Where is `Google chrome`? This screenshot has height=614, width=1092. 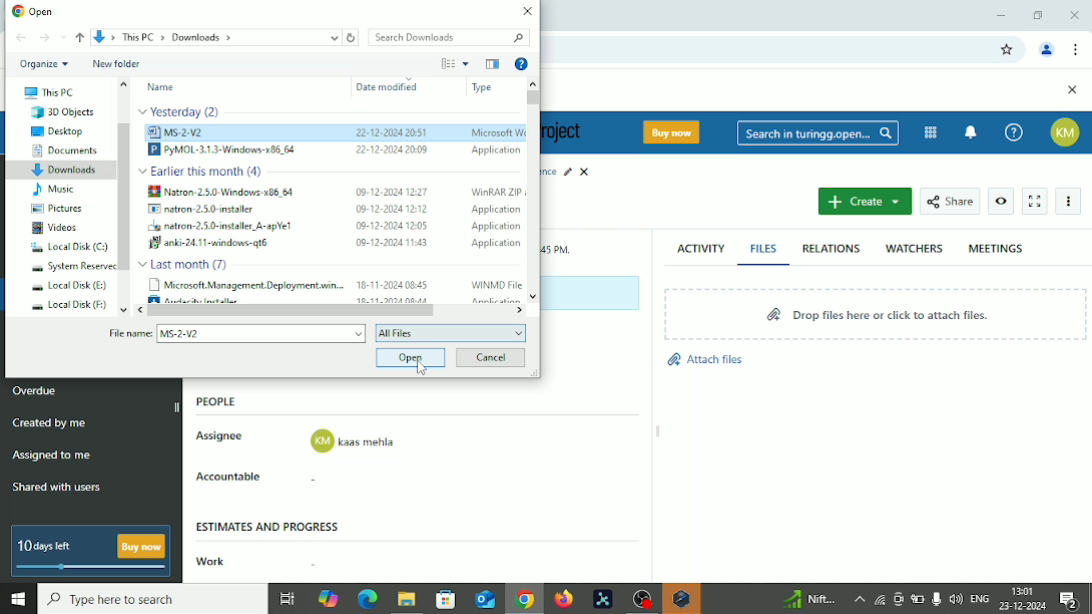 Google chrome is located at coordinates (524, 601).